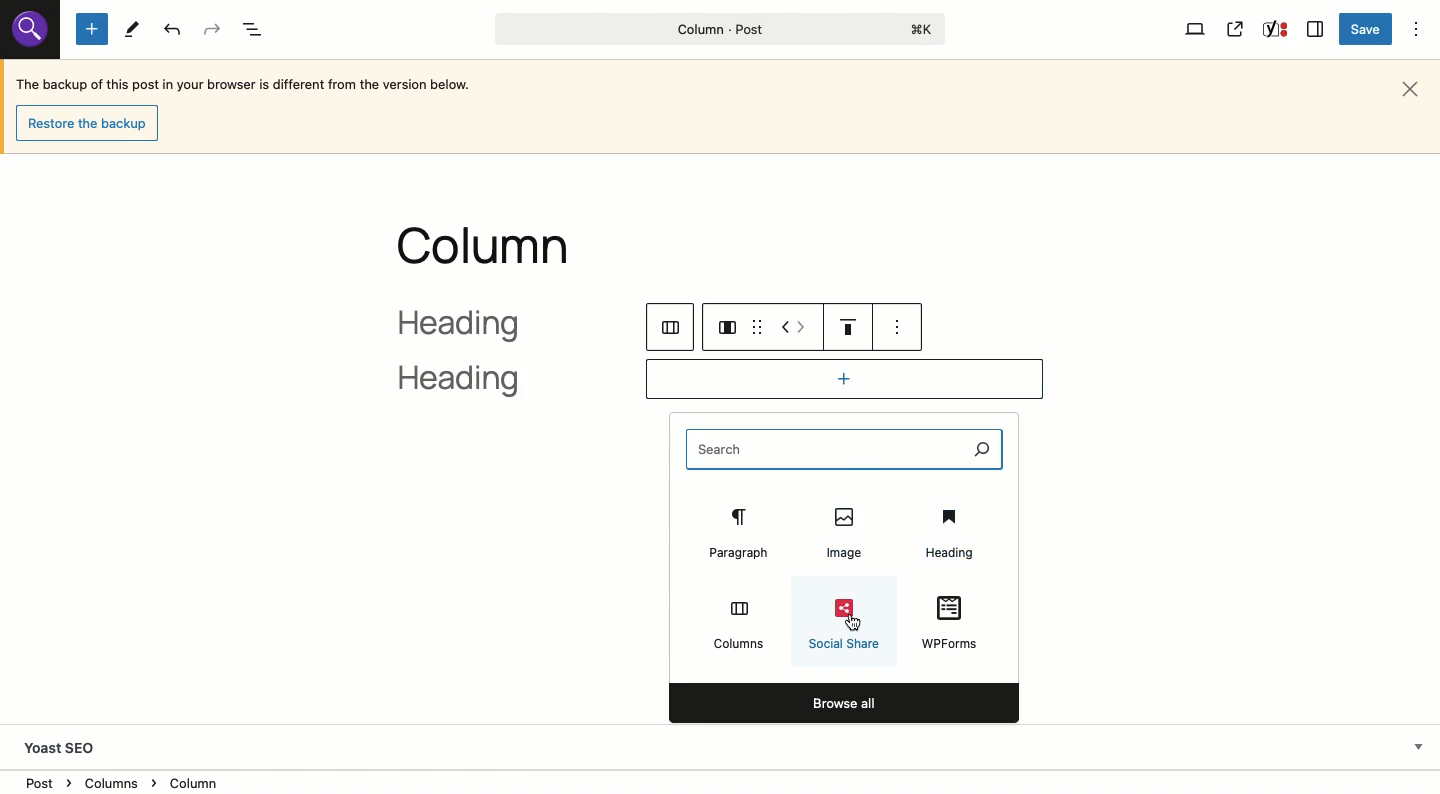  I want to click on heading, so click(483, 356).